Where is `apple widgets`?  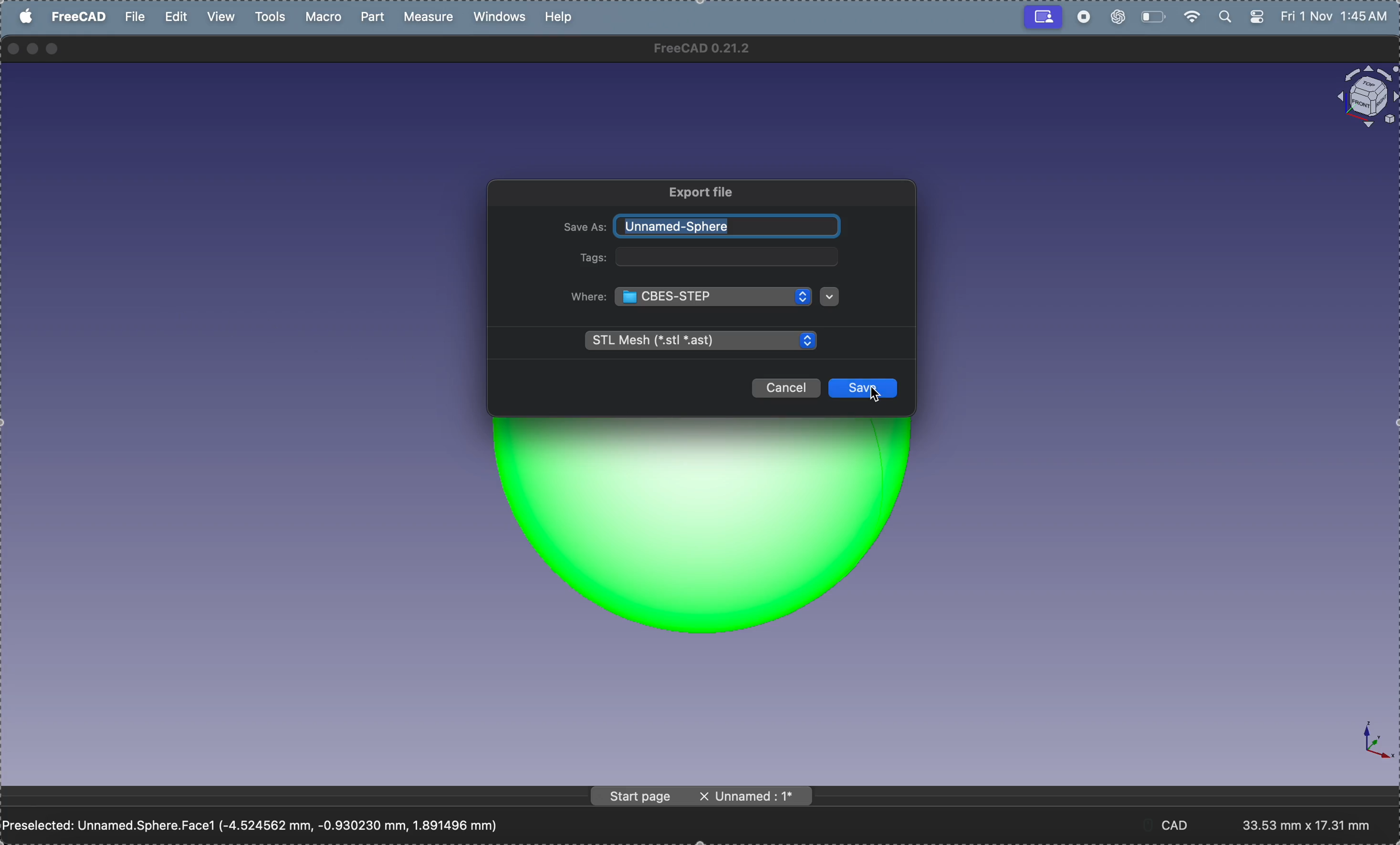
apple widgets is located at coordinates (1239, 17).